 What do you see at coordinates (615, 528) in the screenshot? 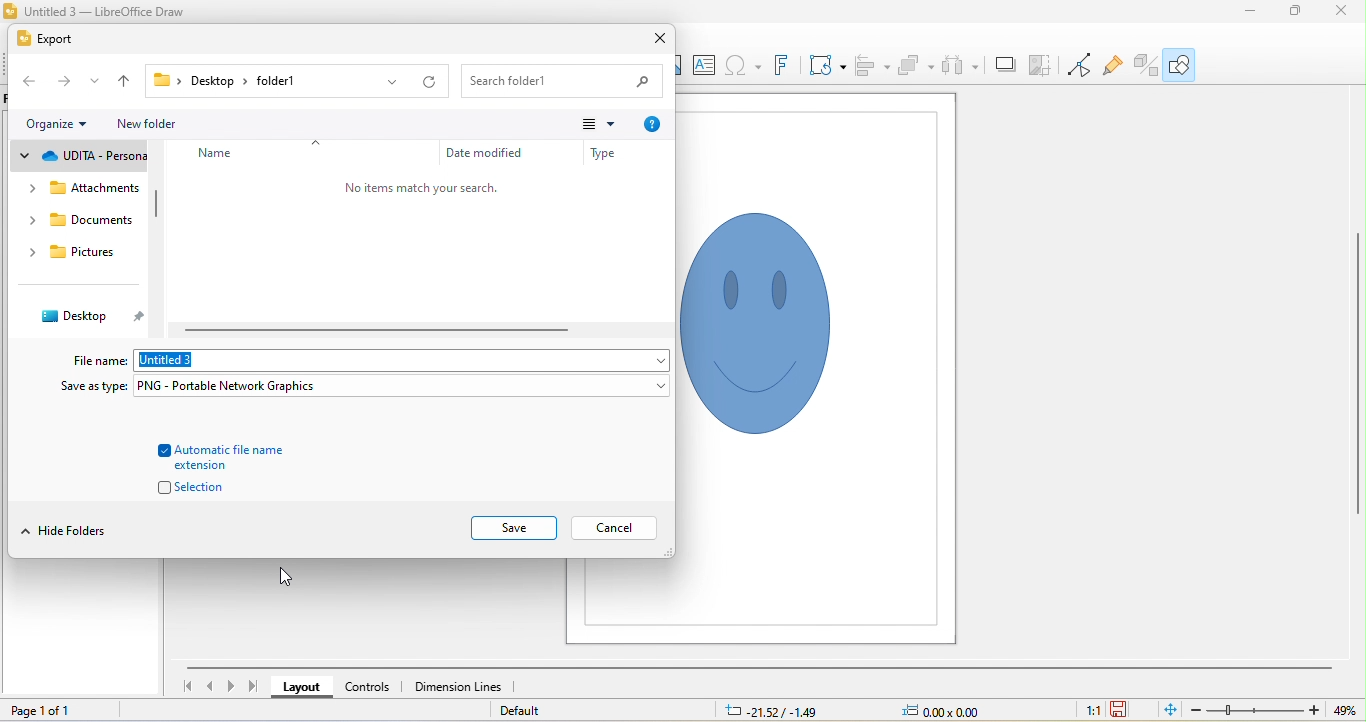
I see `cancel` at bounding box center [615, 528].